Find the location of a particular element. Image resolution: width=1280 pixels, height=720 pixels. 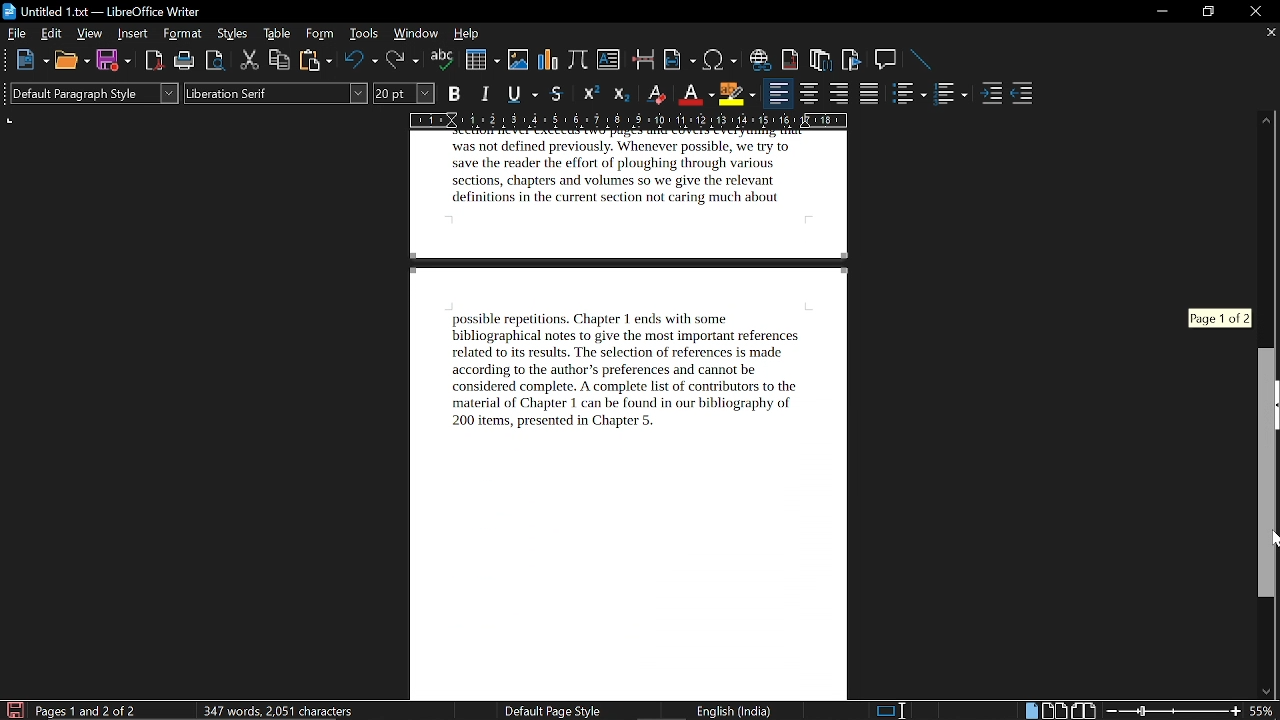

insert endnote is located at coordinates (821, 61).